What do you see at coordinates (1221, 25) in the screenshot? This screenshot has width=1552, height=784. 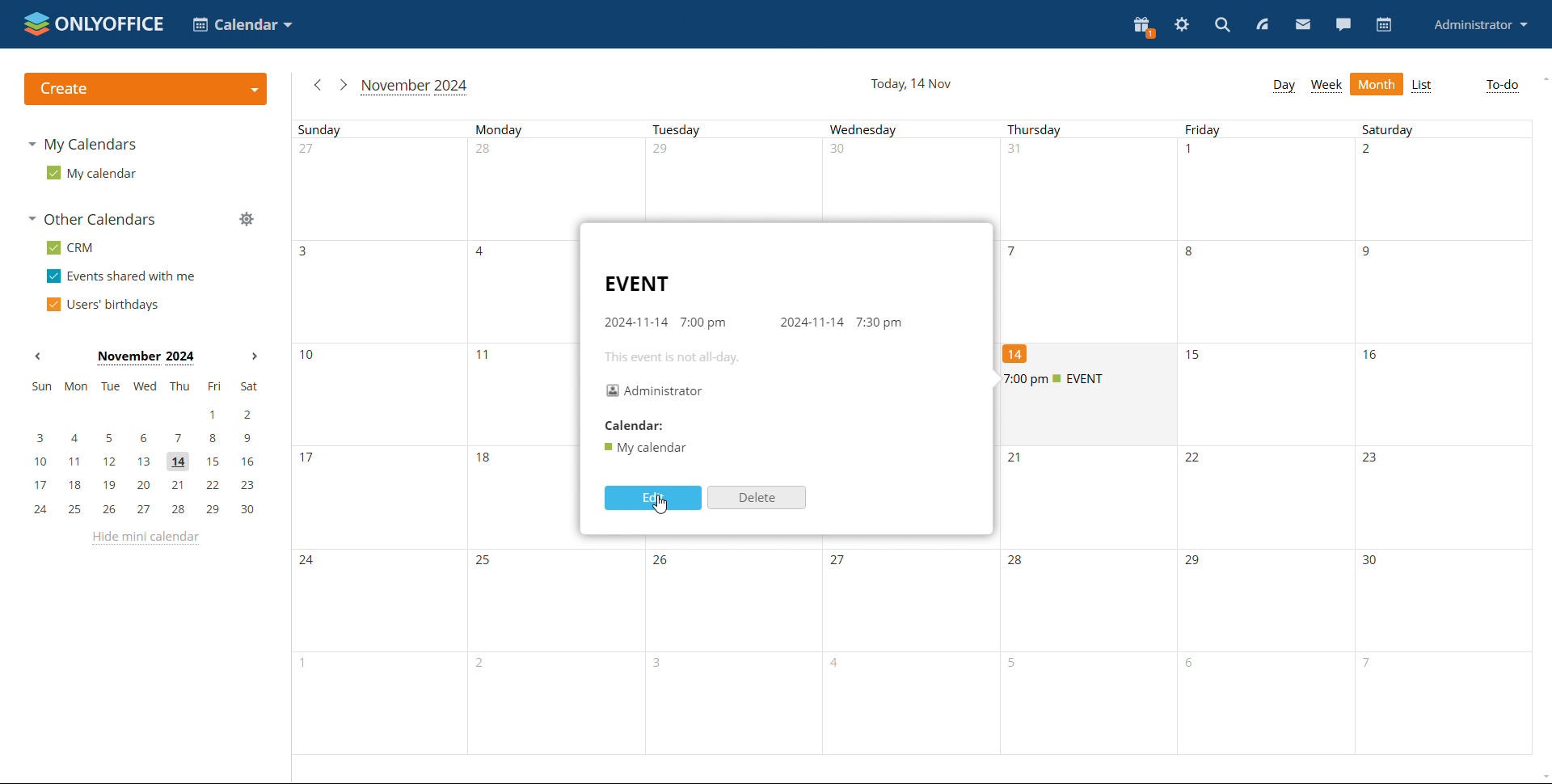 I see `search` at bounding box center [1221, 25].